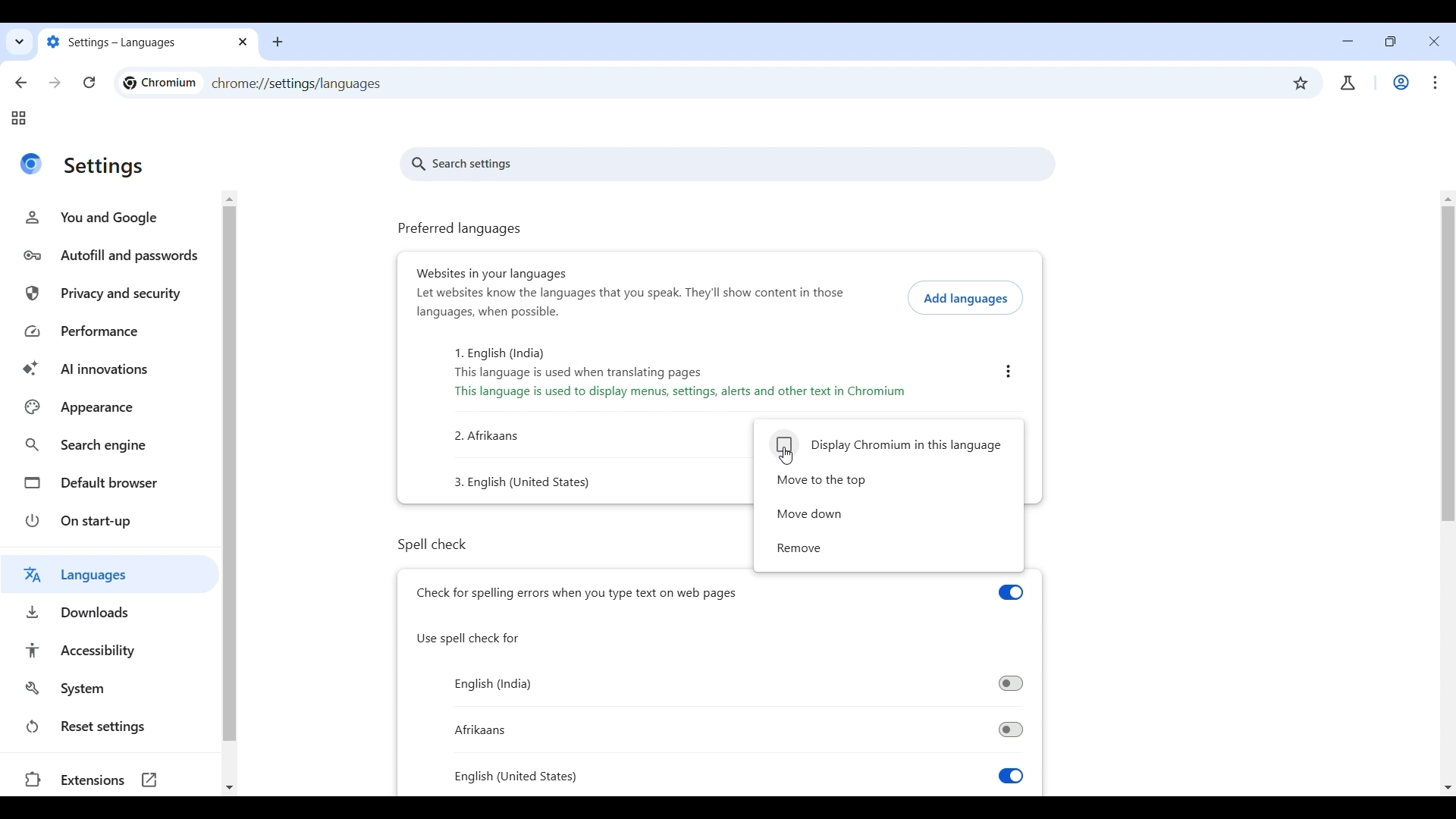 The image size is (1456, 819). I want to click on On start up, so click(113, 520).